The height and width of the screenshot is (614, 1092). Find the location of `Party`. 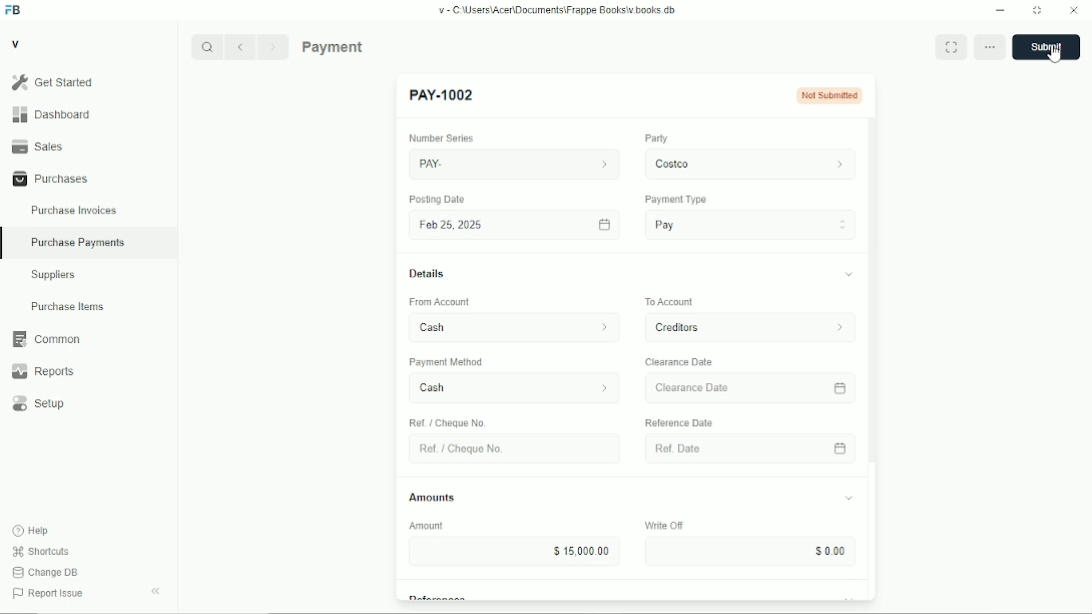

Party is located at coordinates (656, 138).